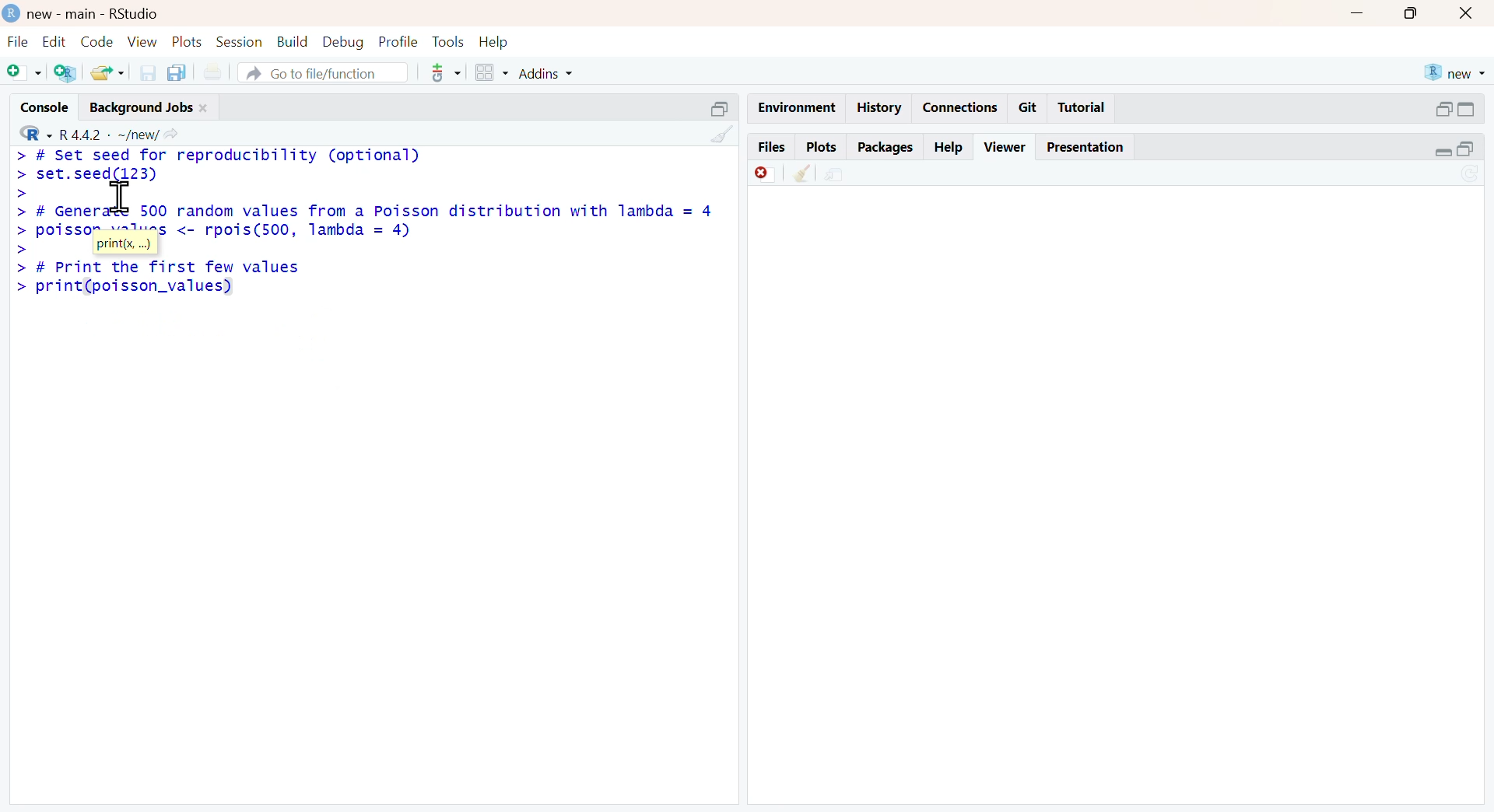 The height and width of the screenshot is (812, 1494). Describe the element at coordinates (11, 12) in the screenshot. I see `logo` at that location.